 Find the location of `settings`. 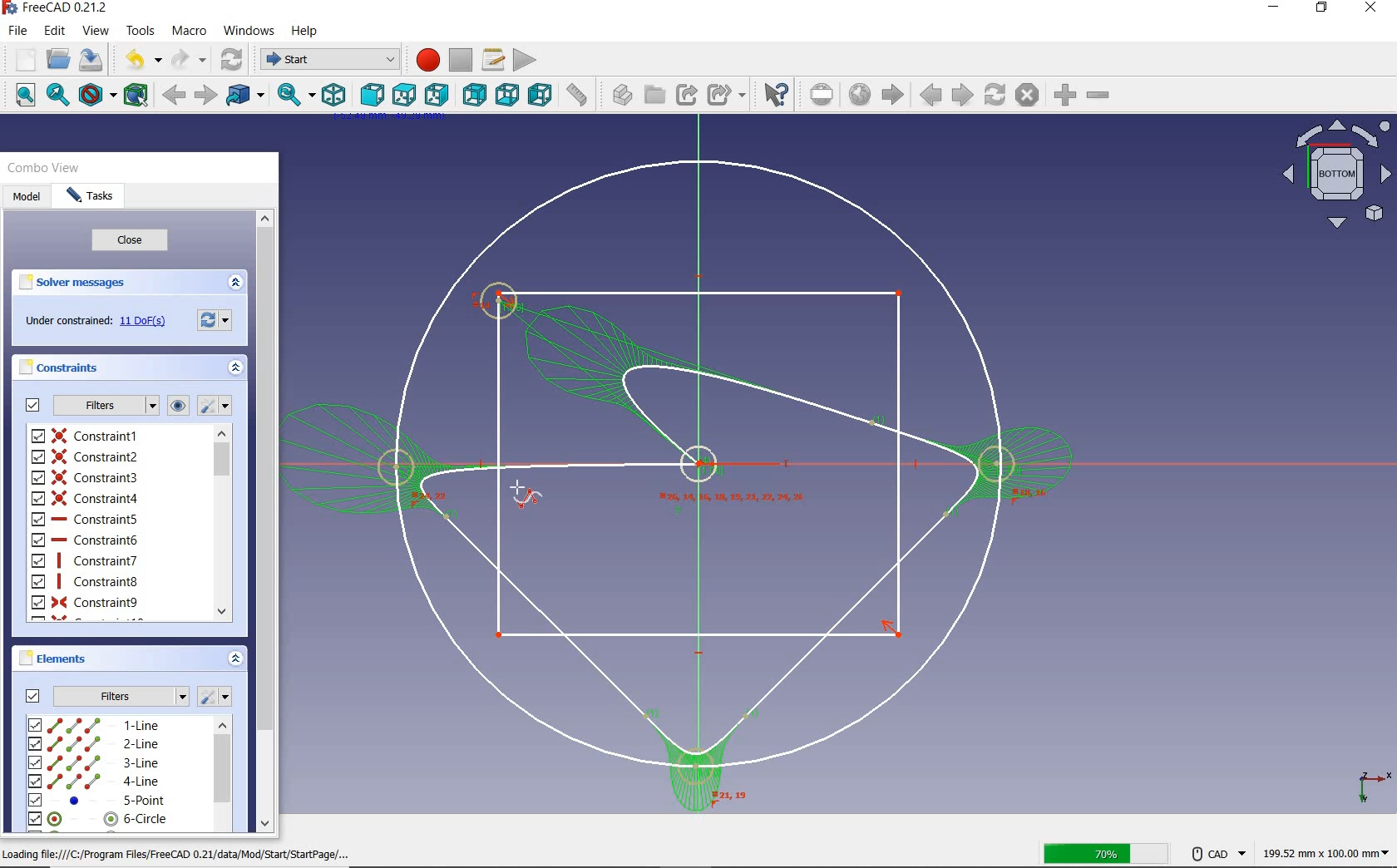

settings is located at coordinates (219, 696).